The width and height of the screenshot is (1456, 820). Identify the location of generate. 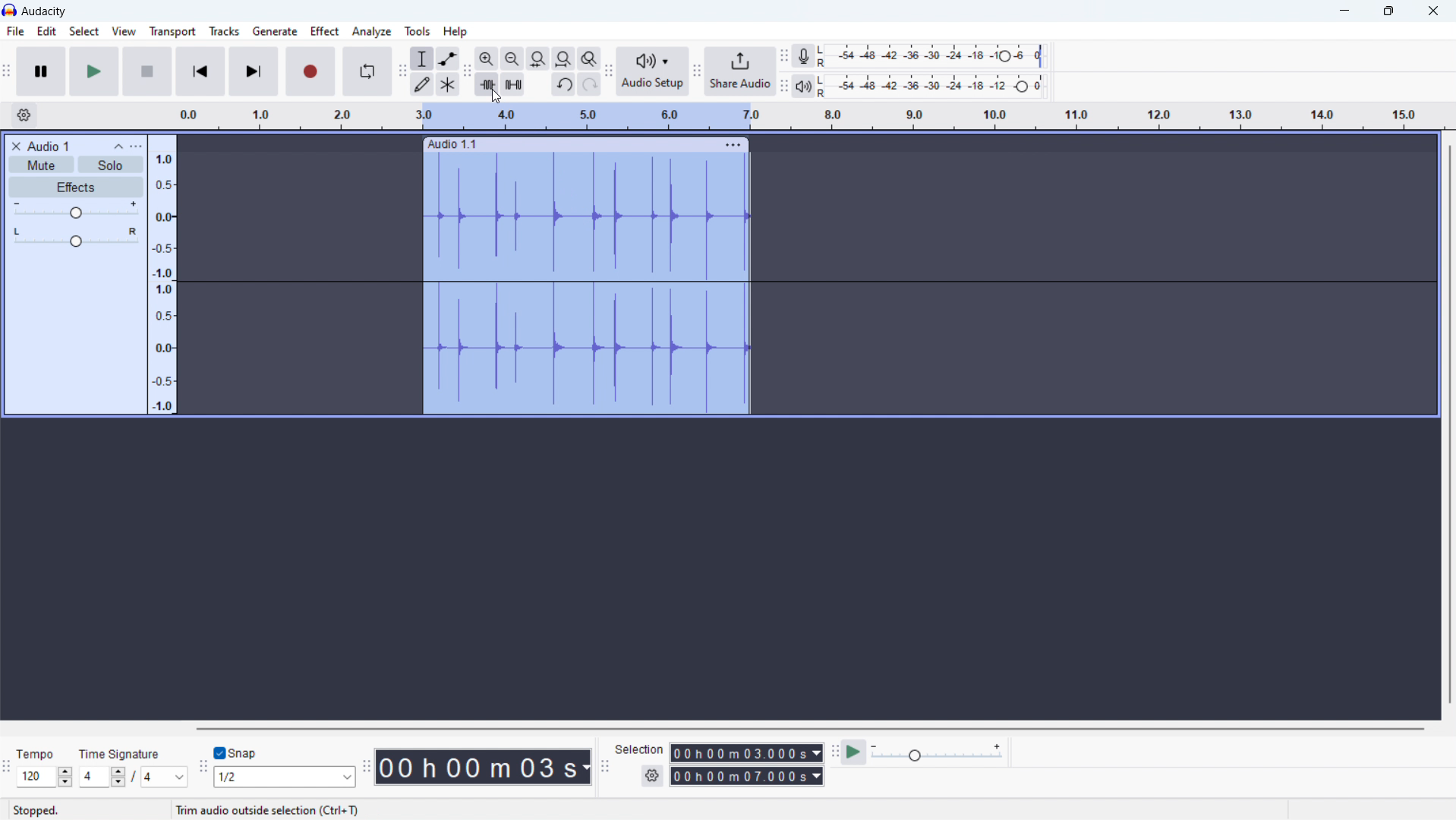
(275, 31).